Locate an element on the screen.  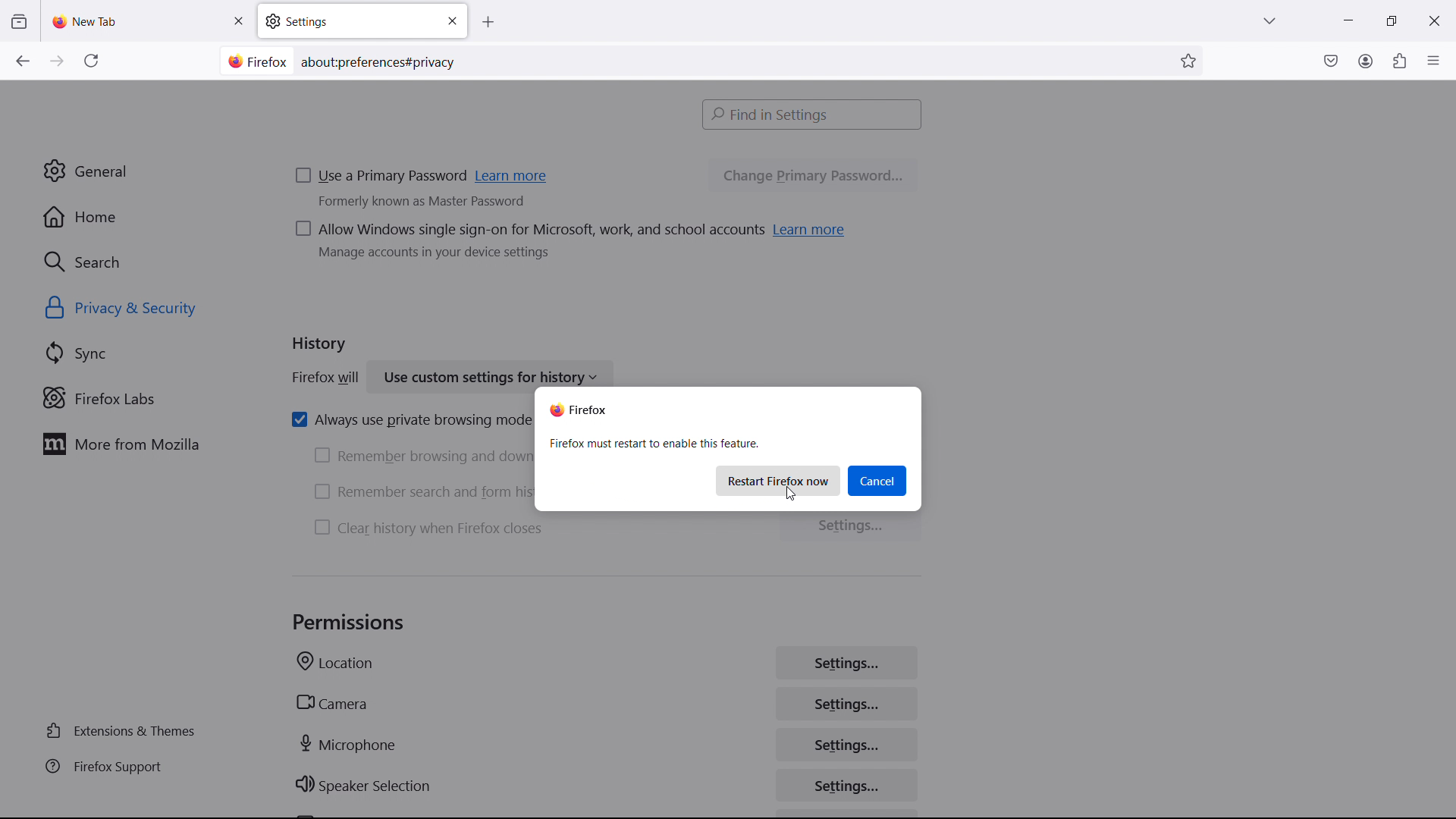
location permission settings is located at coordinates (846, 662).